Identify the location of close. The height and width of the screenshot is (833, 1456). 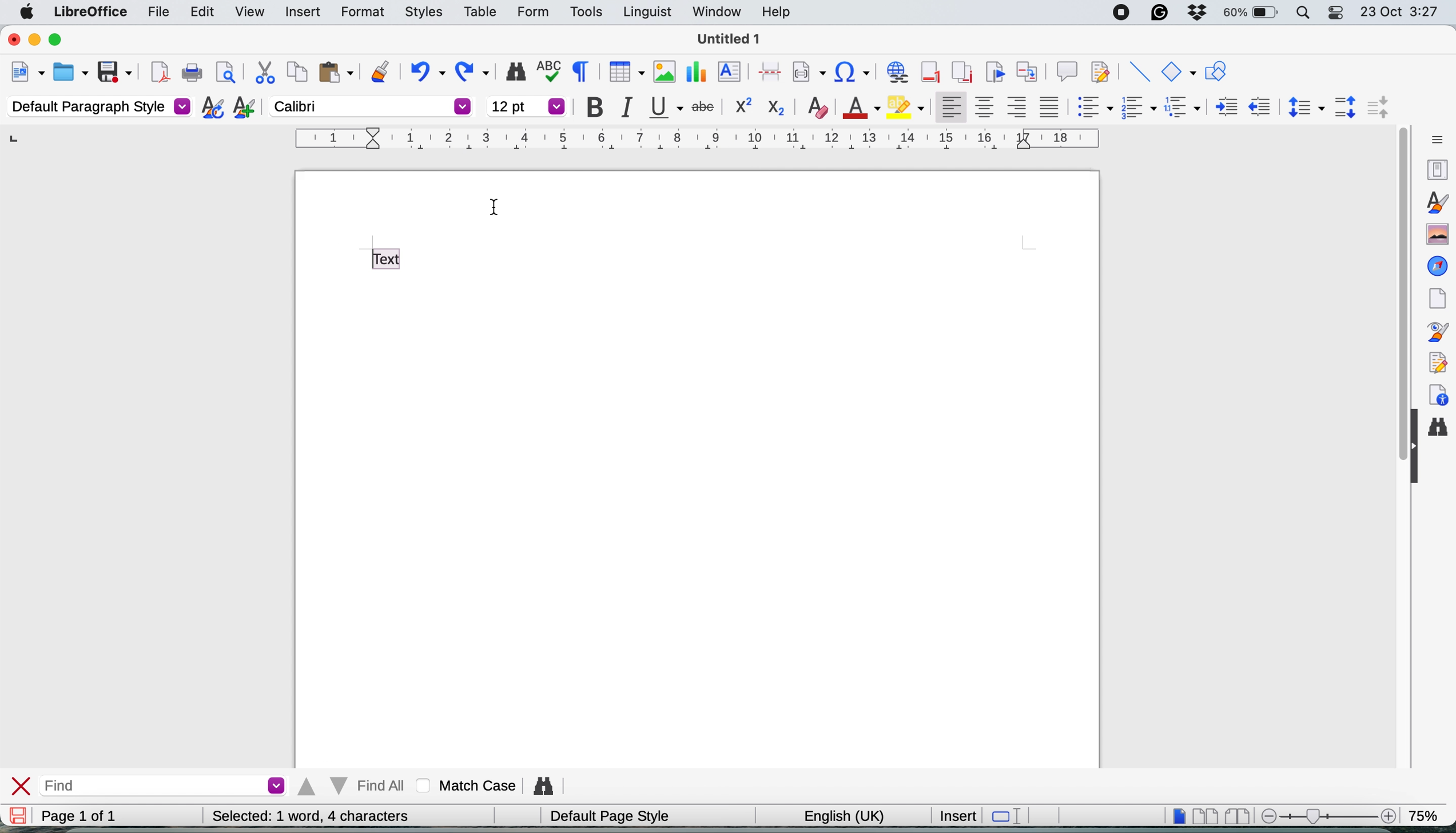
(22, 785).